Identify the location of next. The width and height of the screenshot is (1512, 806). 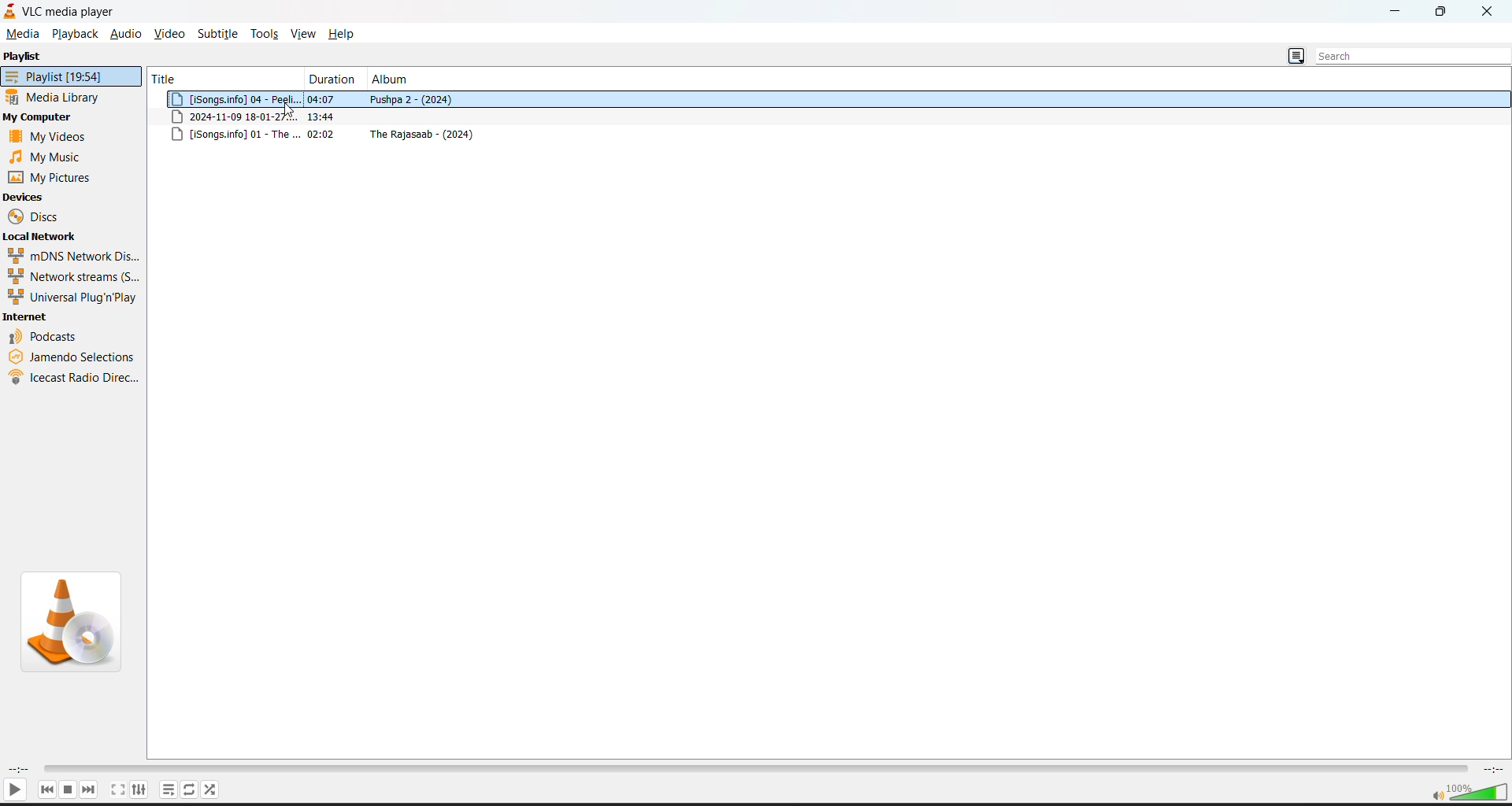
(89, 790).